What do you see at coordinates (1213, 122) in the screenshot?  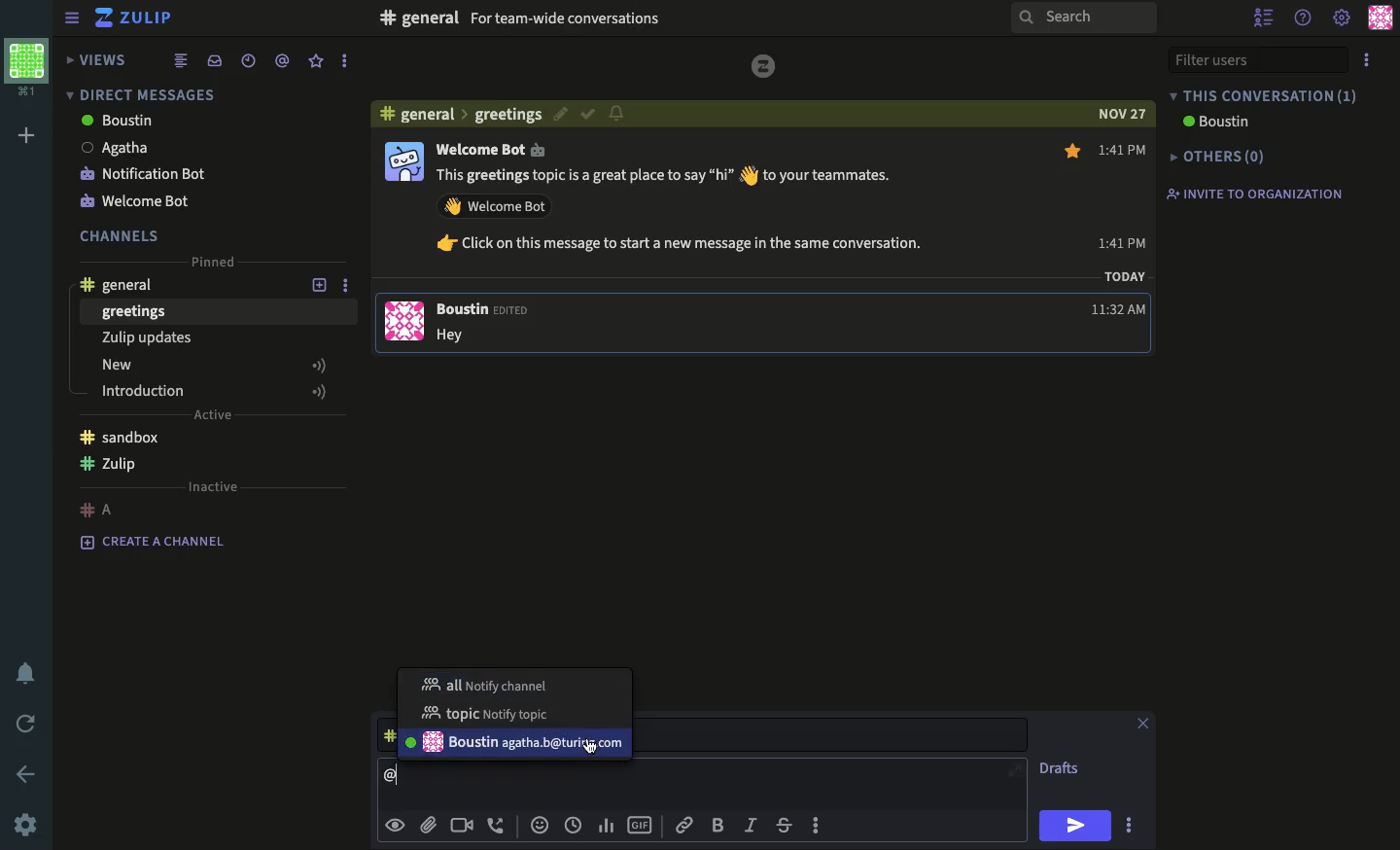 I see `boustin` at bounding box center [1213, 122].